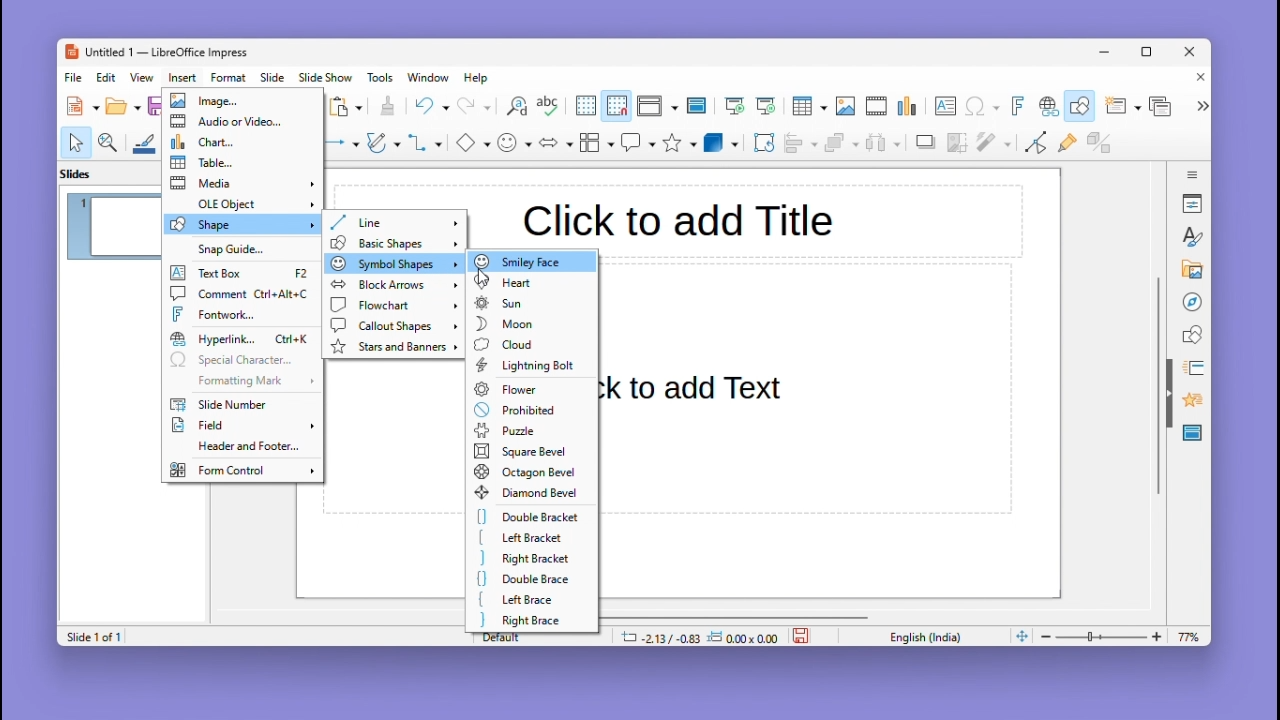 The image size is (1280, 720). What do you see at coordinates (243, 122) in the screenshot?
I see `Audio or video` at bounding box center [243, 122].